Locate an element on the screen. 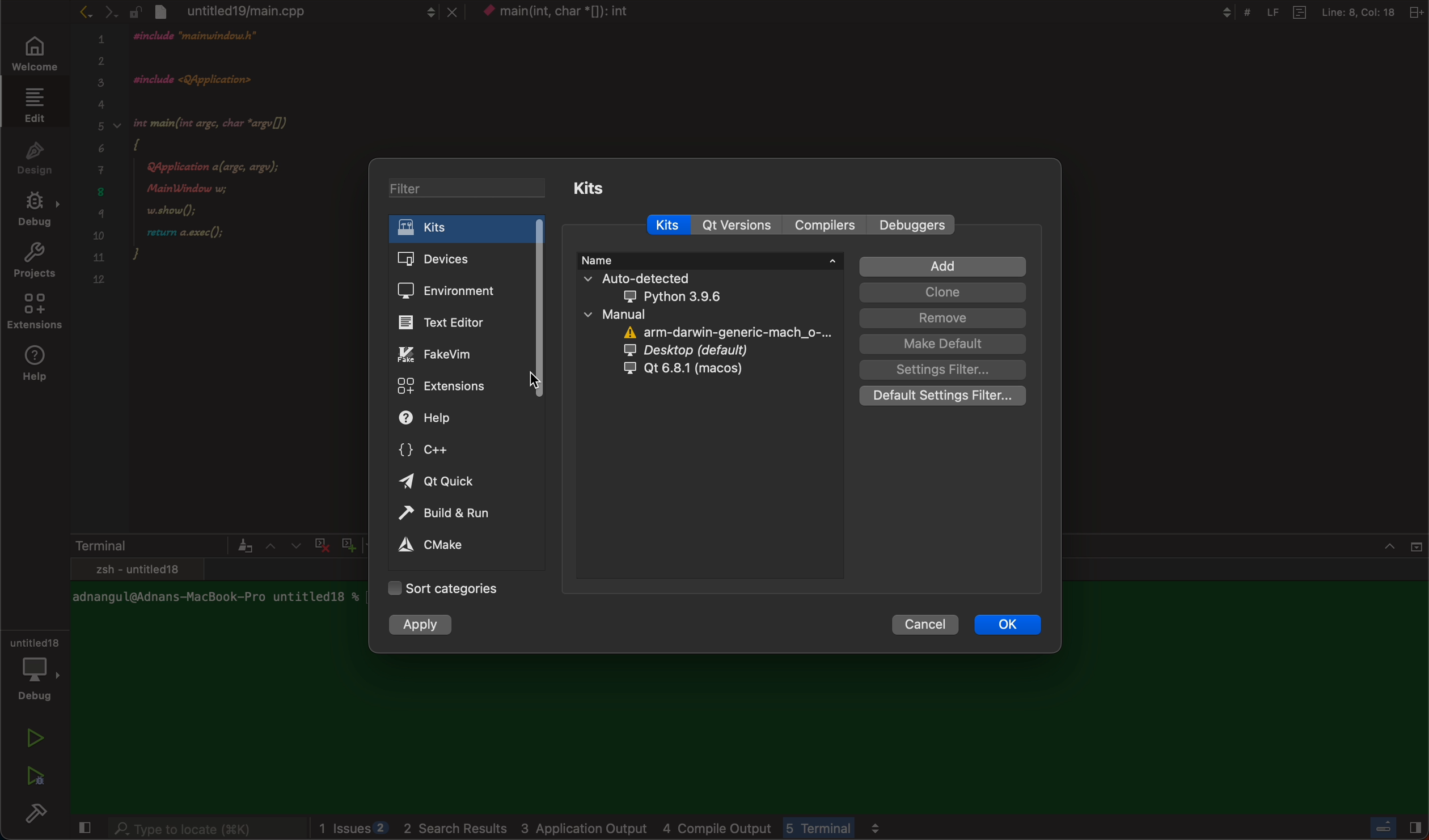 The width and height of the screenshot is (1429, 840). add is located at coordinates (942, 267).